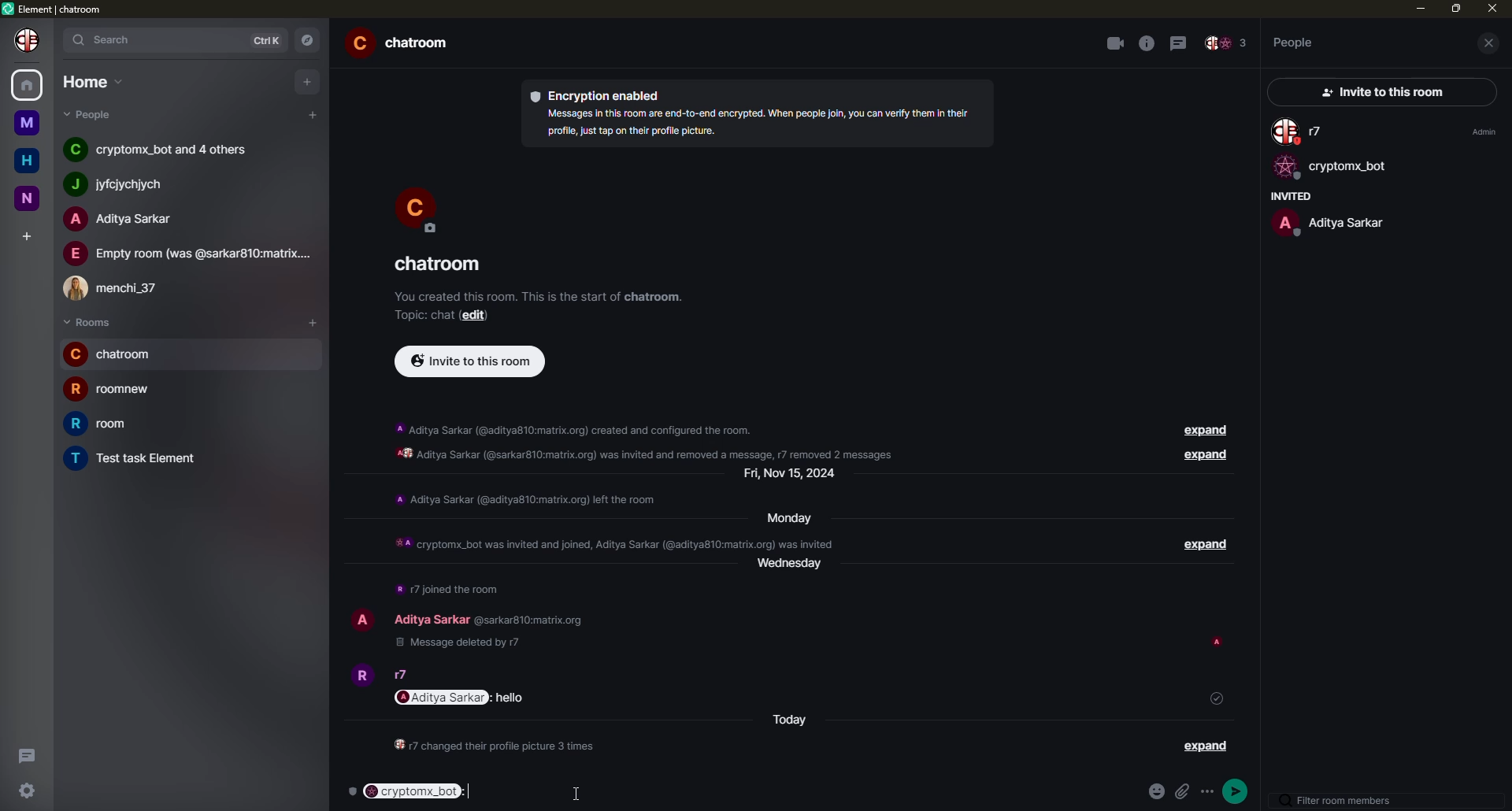 This screenshot has height=811, width=1512. I want to click on edit, so click(473, 316).